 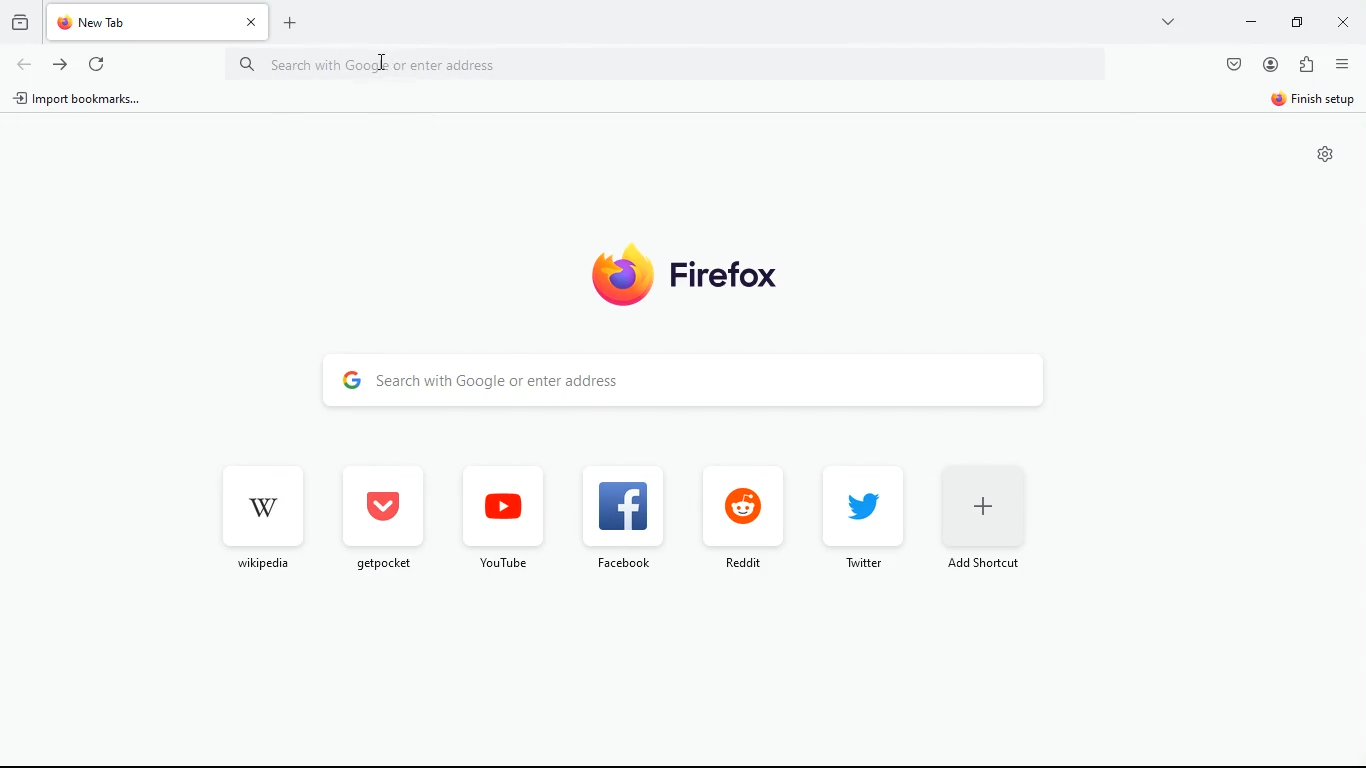 I want to click on more, so click(x=1165, y=21).